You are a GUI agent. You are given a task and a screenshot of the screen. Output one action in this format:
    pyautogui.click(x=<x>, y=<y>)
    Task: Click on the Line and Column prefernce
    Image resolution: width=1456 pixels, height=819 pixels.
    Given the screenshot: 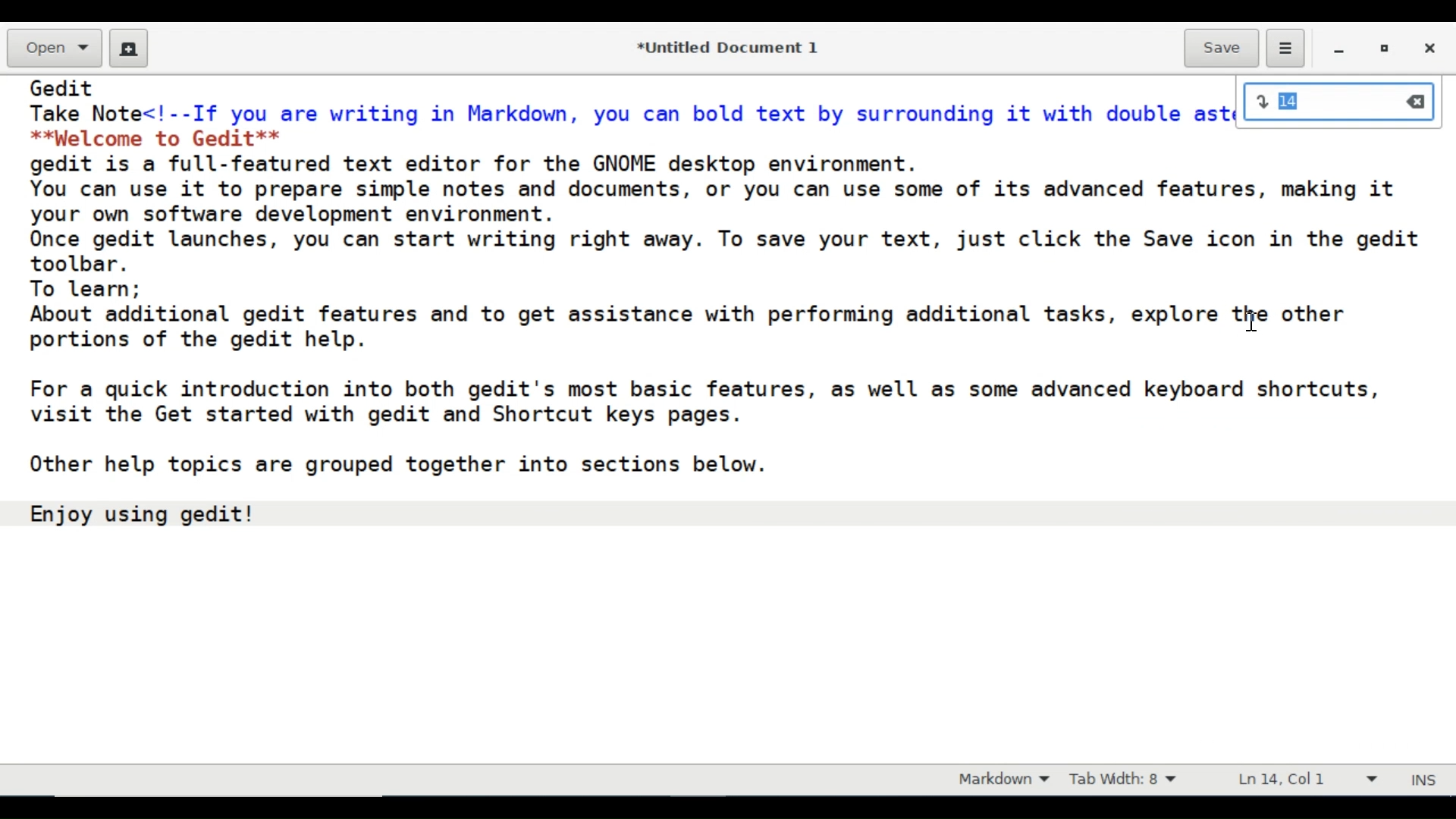 What is the action you would take?
    pyautogui.click(x=1308, y=781)
    